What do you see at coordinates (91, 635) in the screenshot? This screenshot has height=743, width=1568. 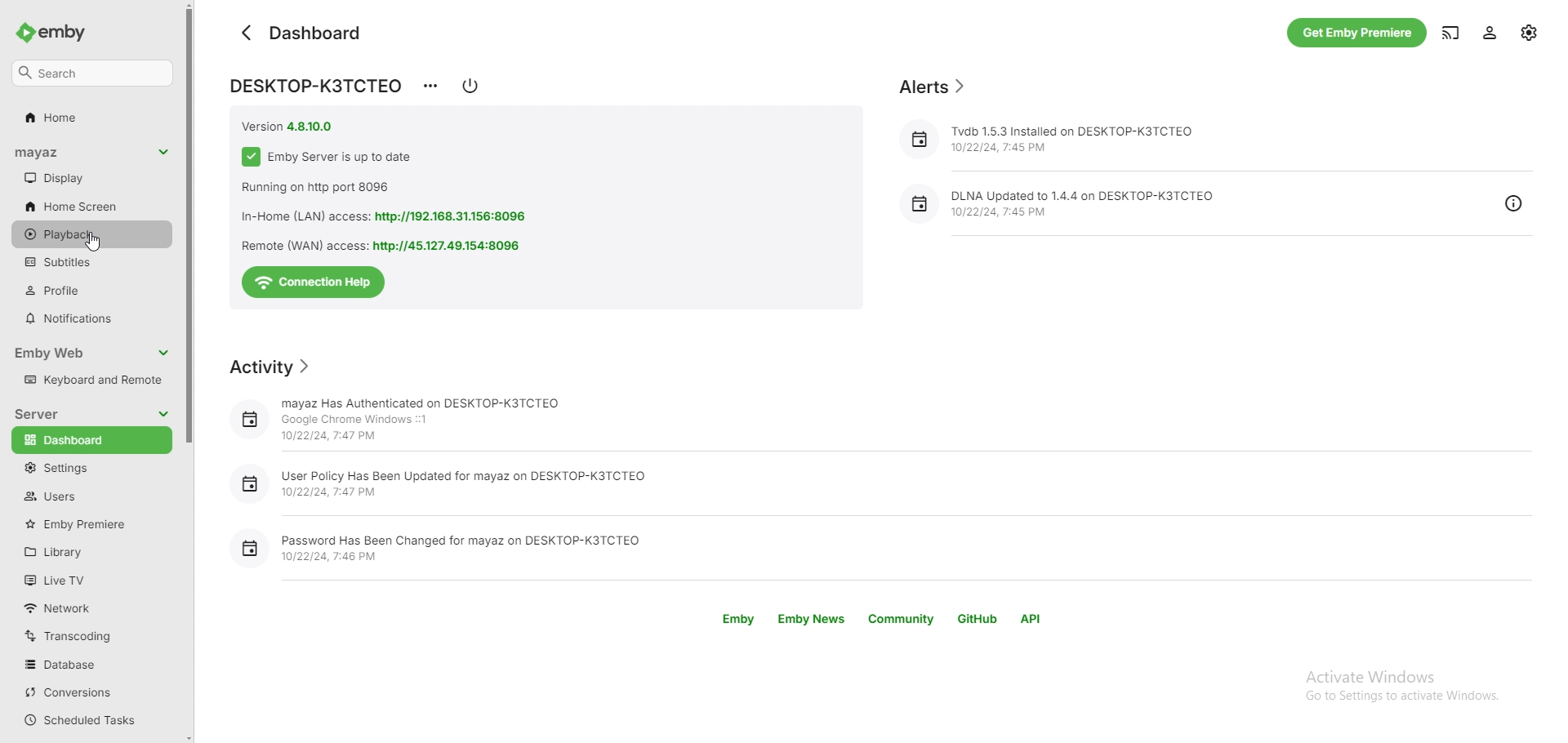 I see `transcoding` at bounding box center [91, 635].